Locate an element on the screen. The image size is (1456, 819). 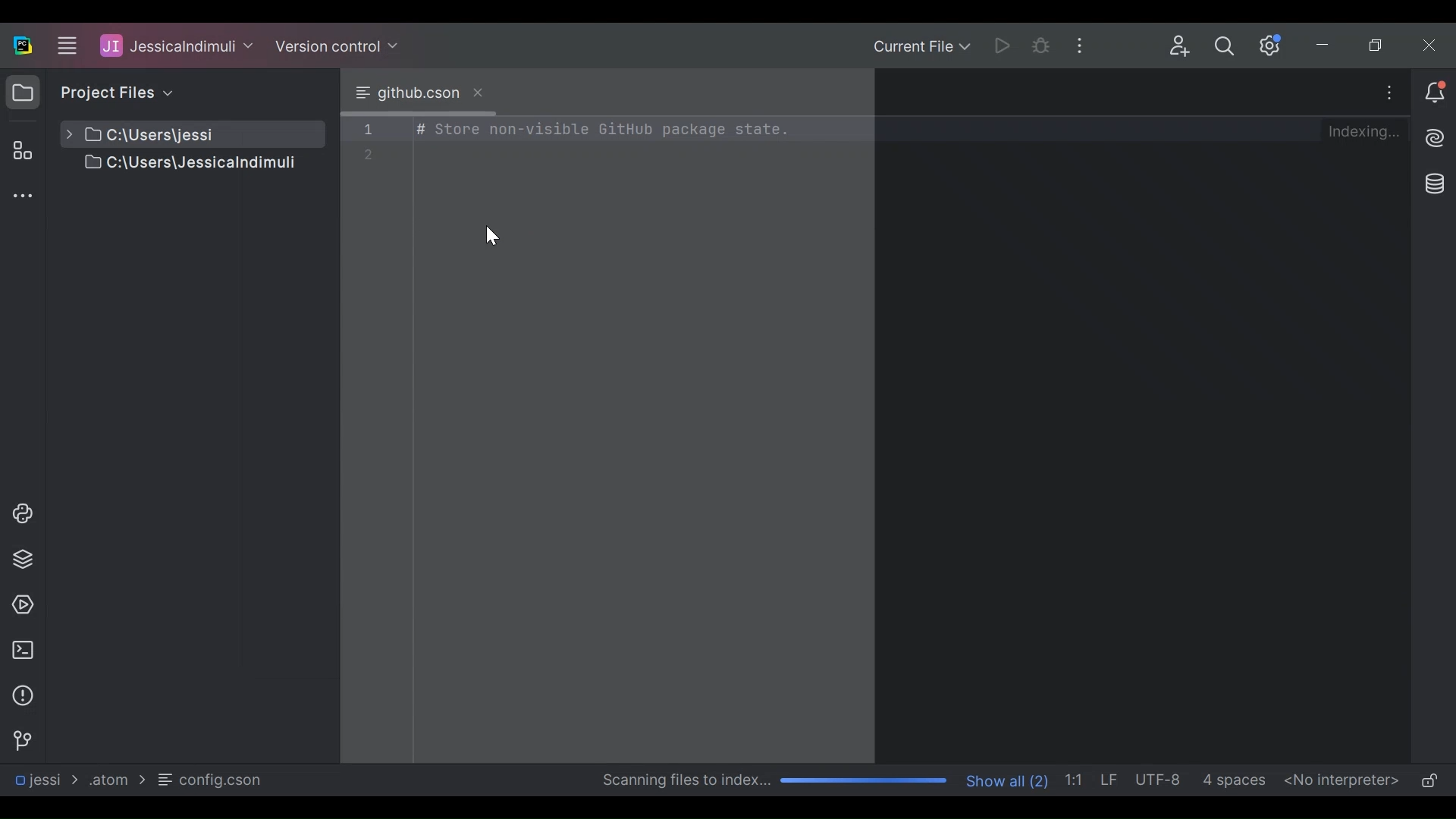
Show Number of Files is located at coordinates (1009, 779).